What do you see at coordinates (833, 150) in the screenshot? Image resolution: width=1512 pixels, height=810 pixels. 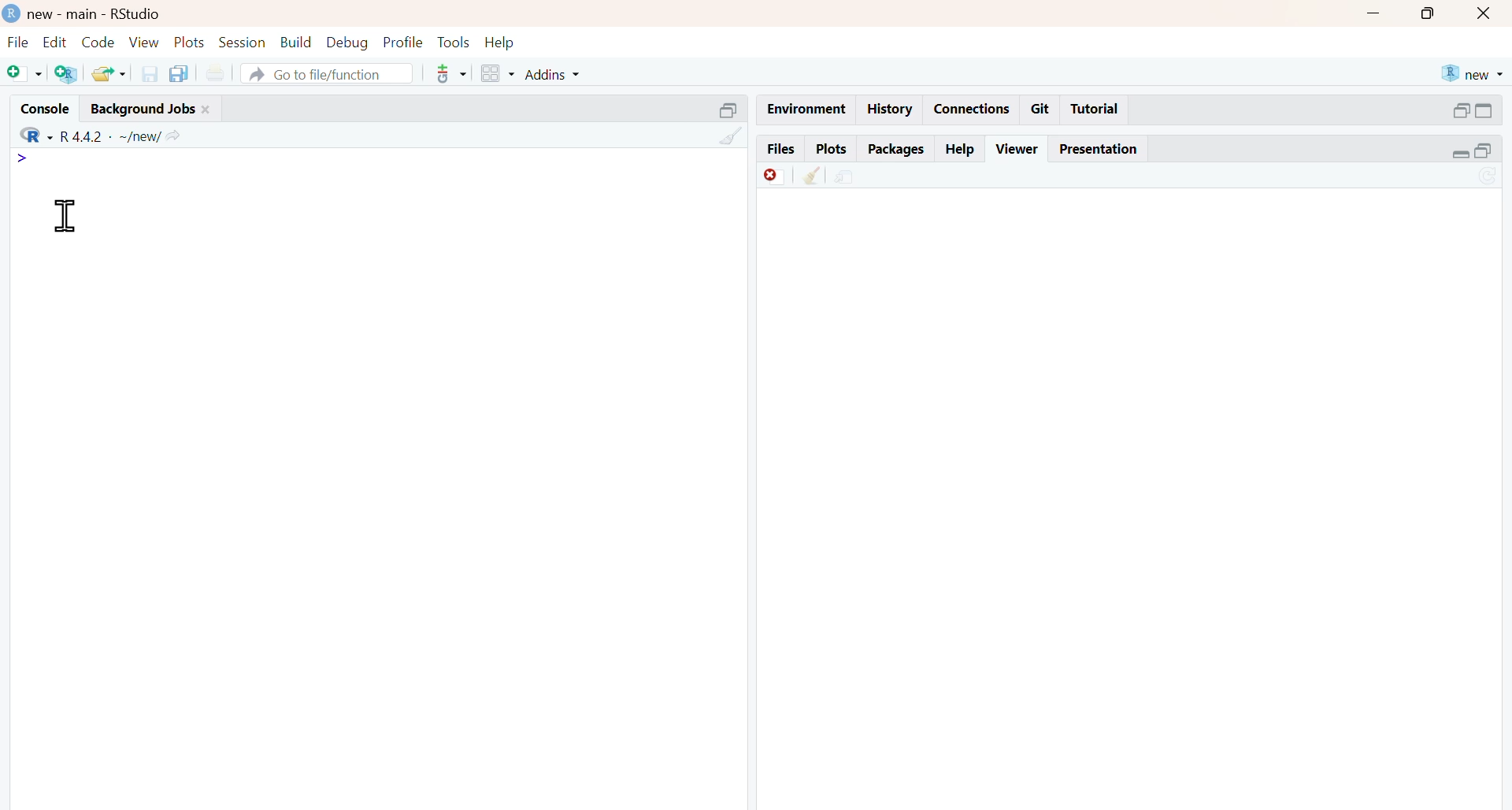 I see `plots` at bounding box center [833, 150].